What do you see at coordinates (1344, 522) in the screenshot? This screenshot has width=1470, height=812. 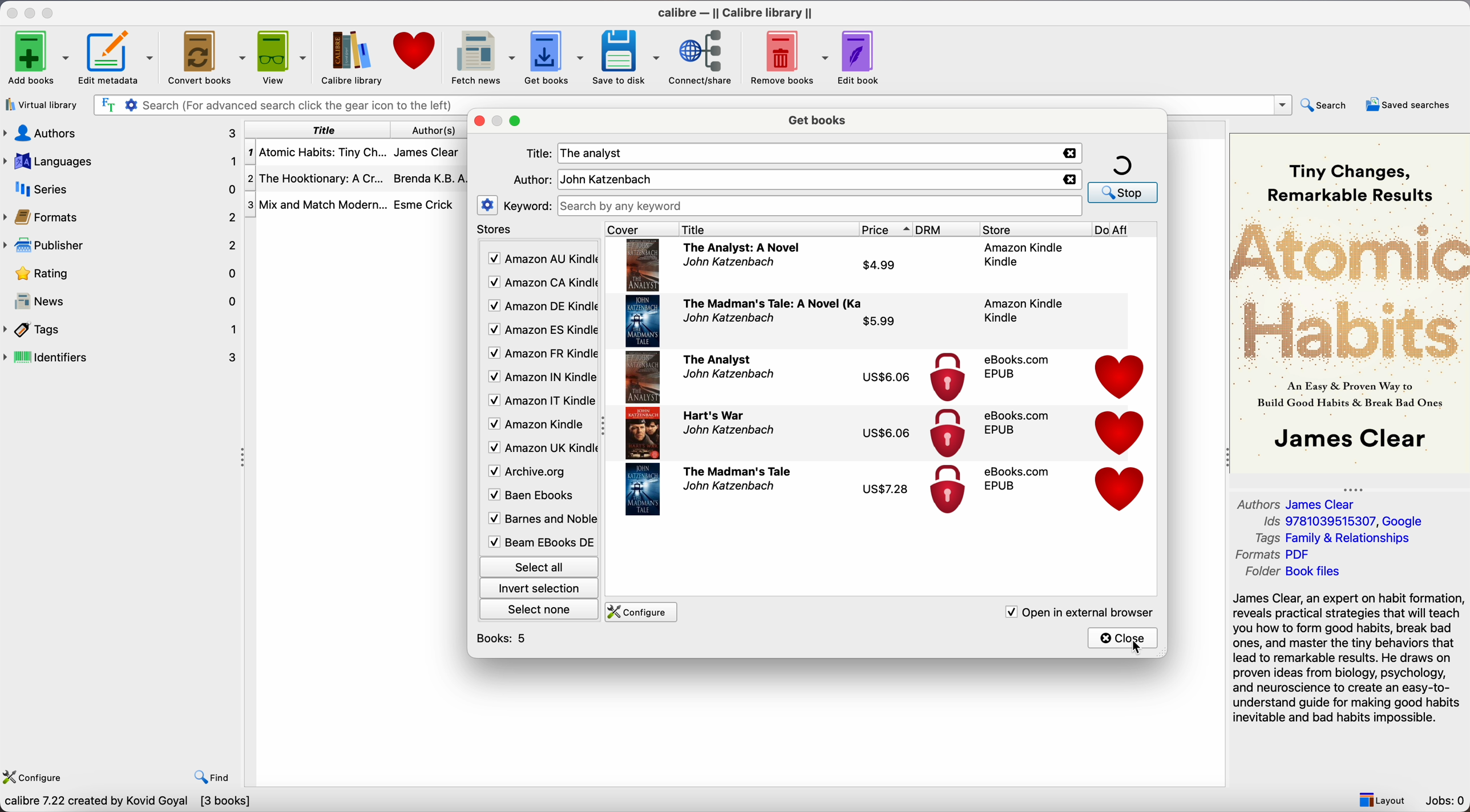 I see `Ids 9781039515307, Google` at bounding box center [1344, 522].